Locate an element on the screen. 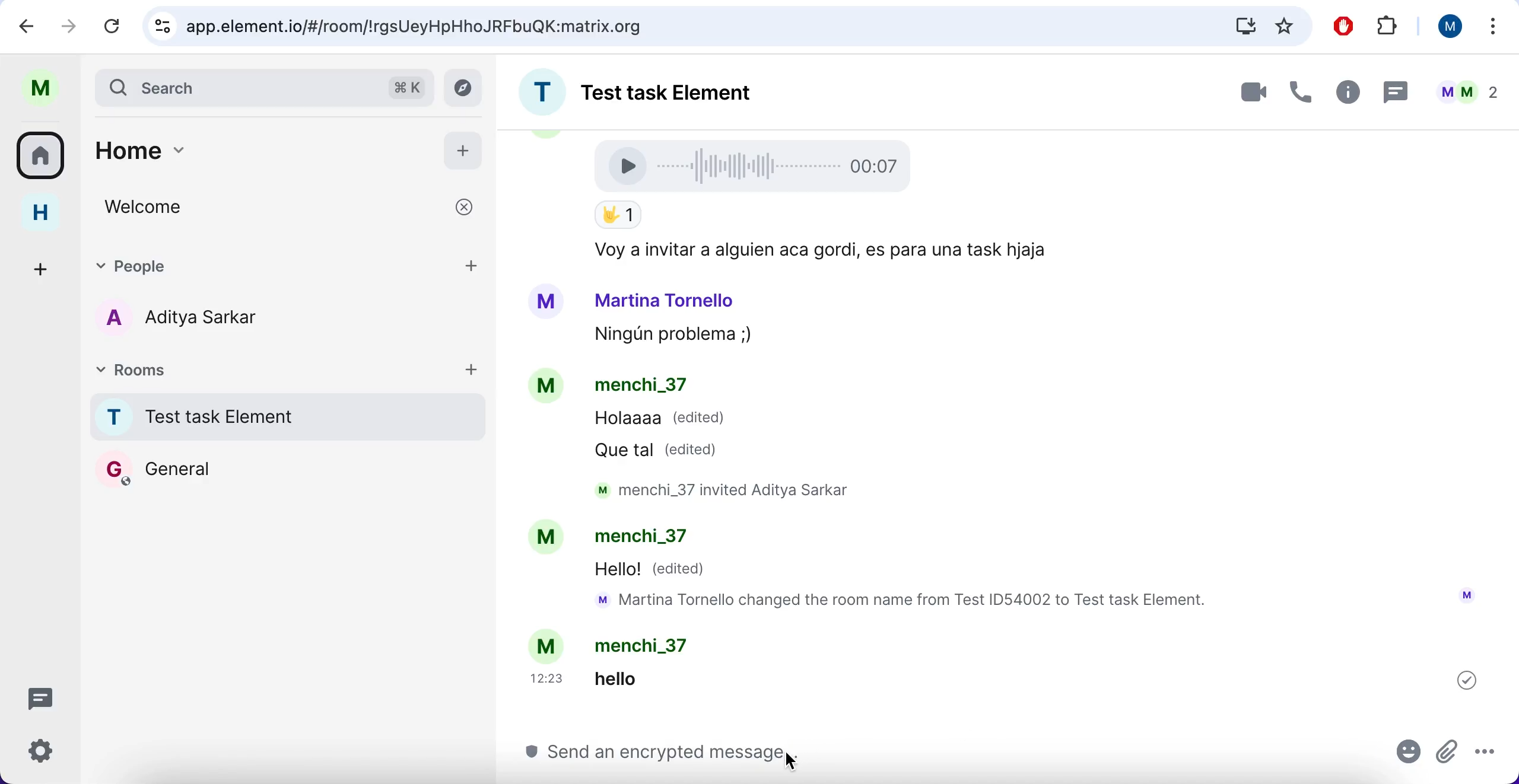 This screenshot has width=1519, height=784. Holaaaa (edited) is located at coordinates (660, 421).